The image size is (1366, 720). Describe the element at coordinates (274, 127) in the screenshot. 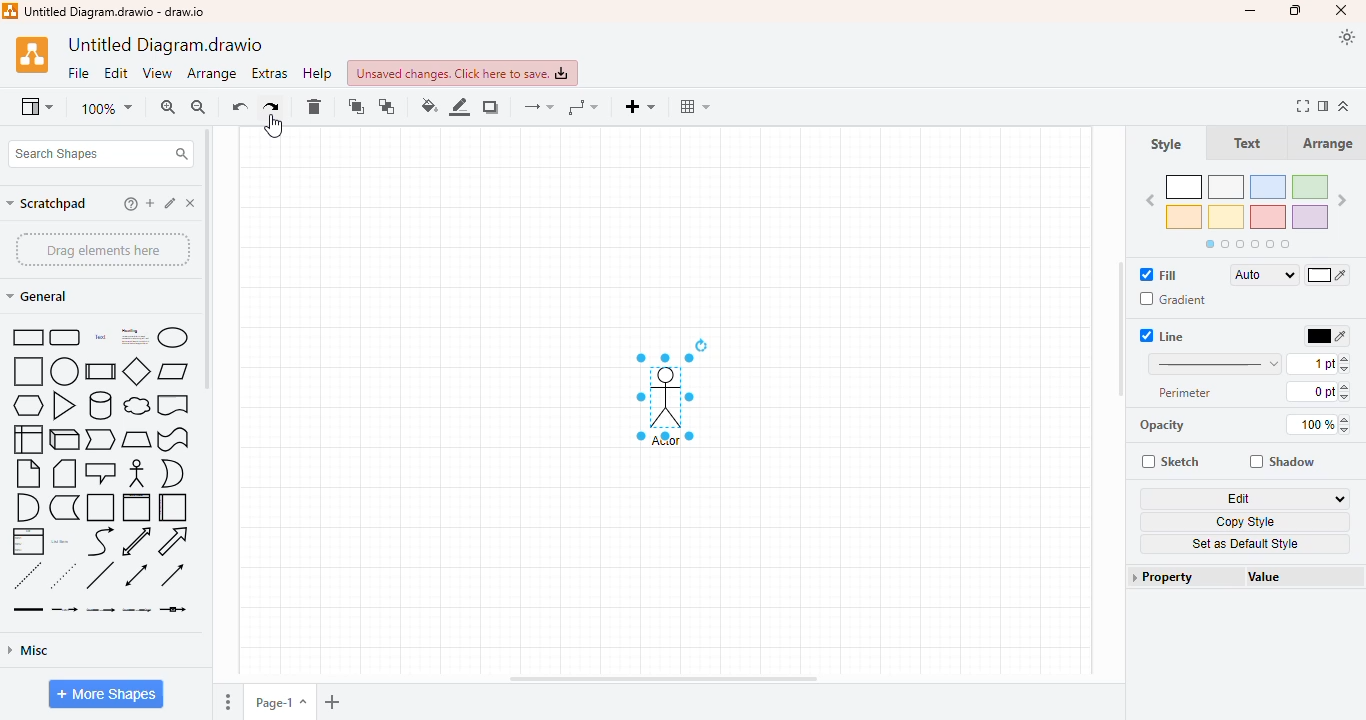

I see `cursor` at that location.